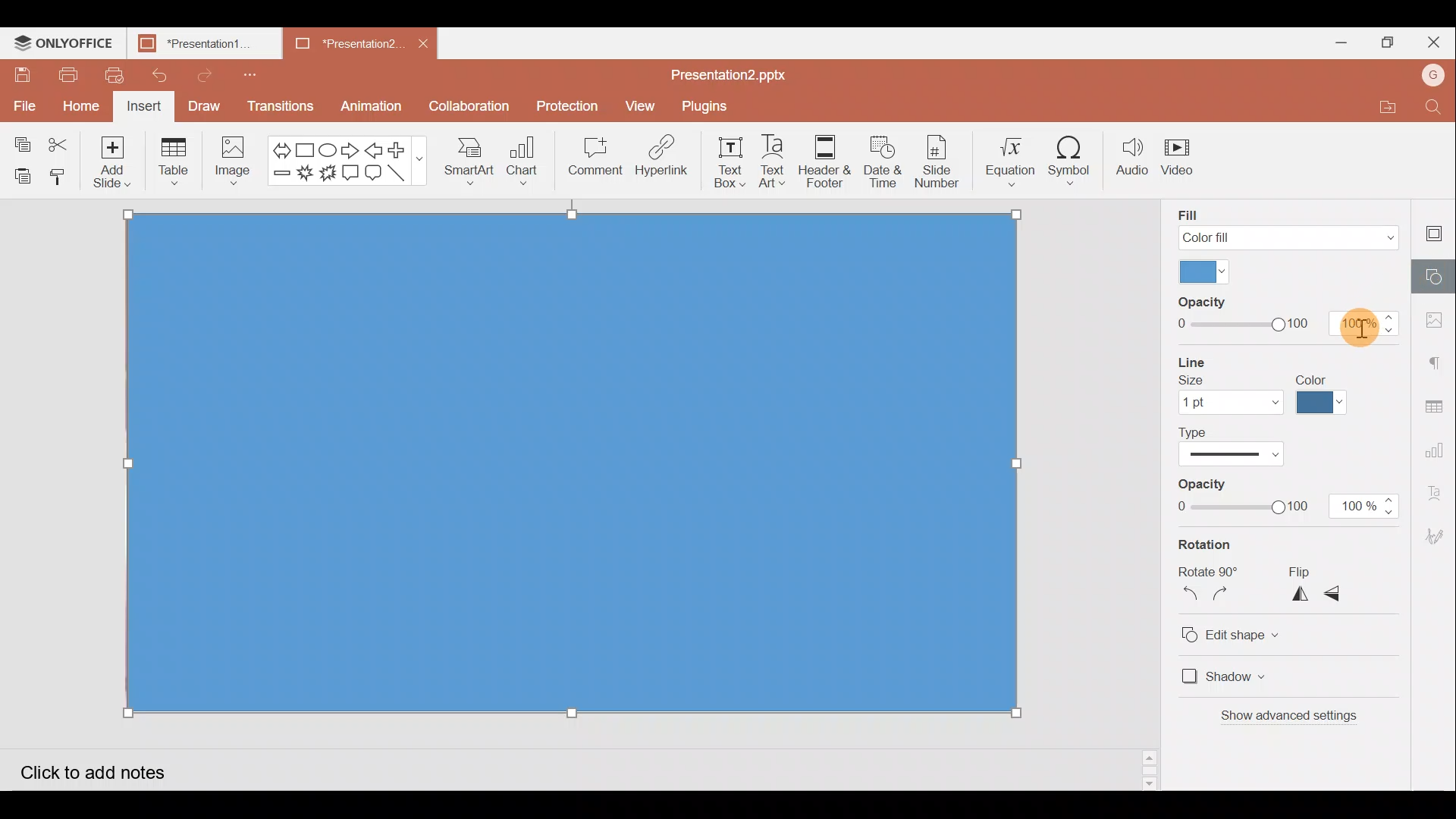 This screenshot has width=1456, height=819. I want to click on Add slide, so click(114, 162).